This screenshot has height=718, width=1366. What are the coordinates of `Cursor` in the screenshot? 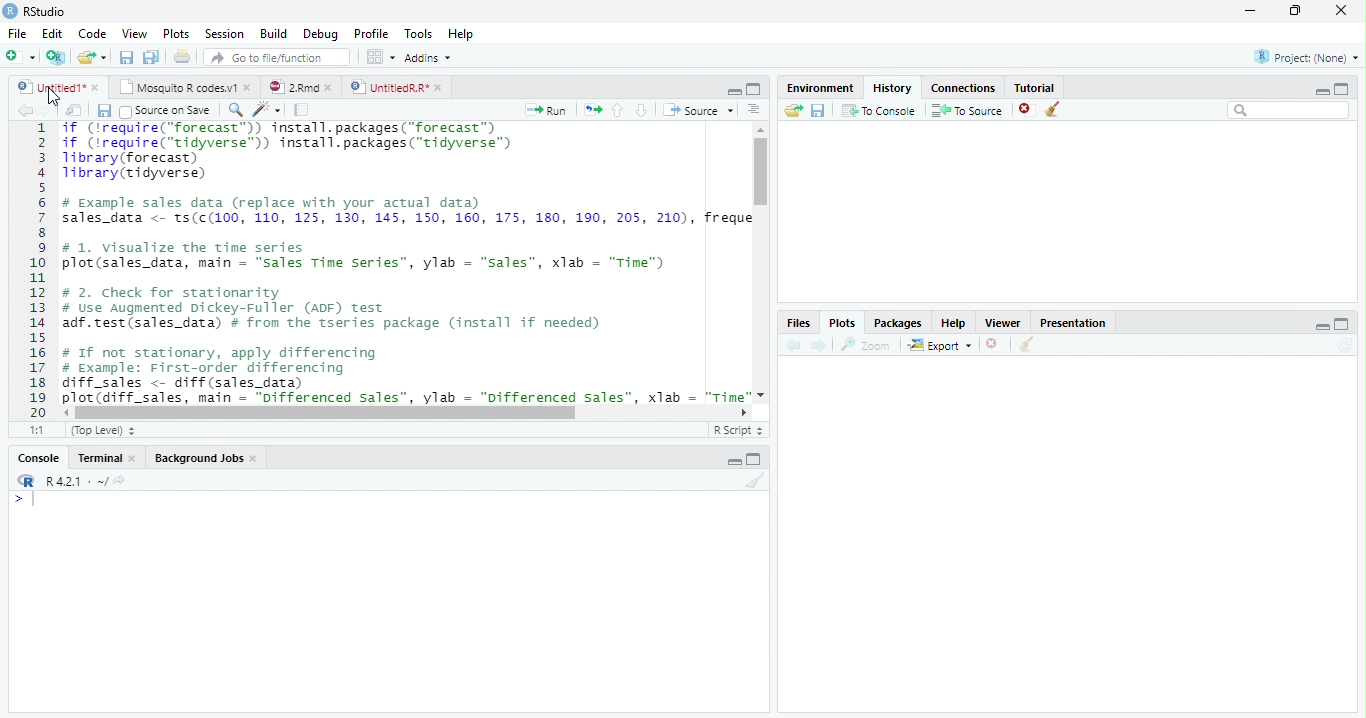 It's located at (55, 98).